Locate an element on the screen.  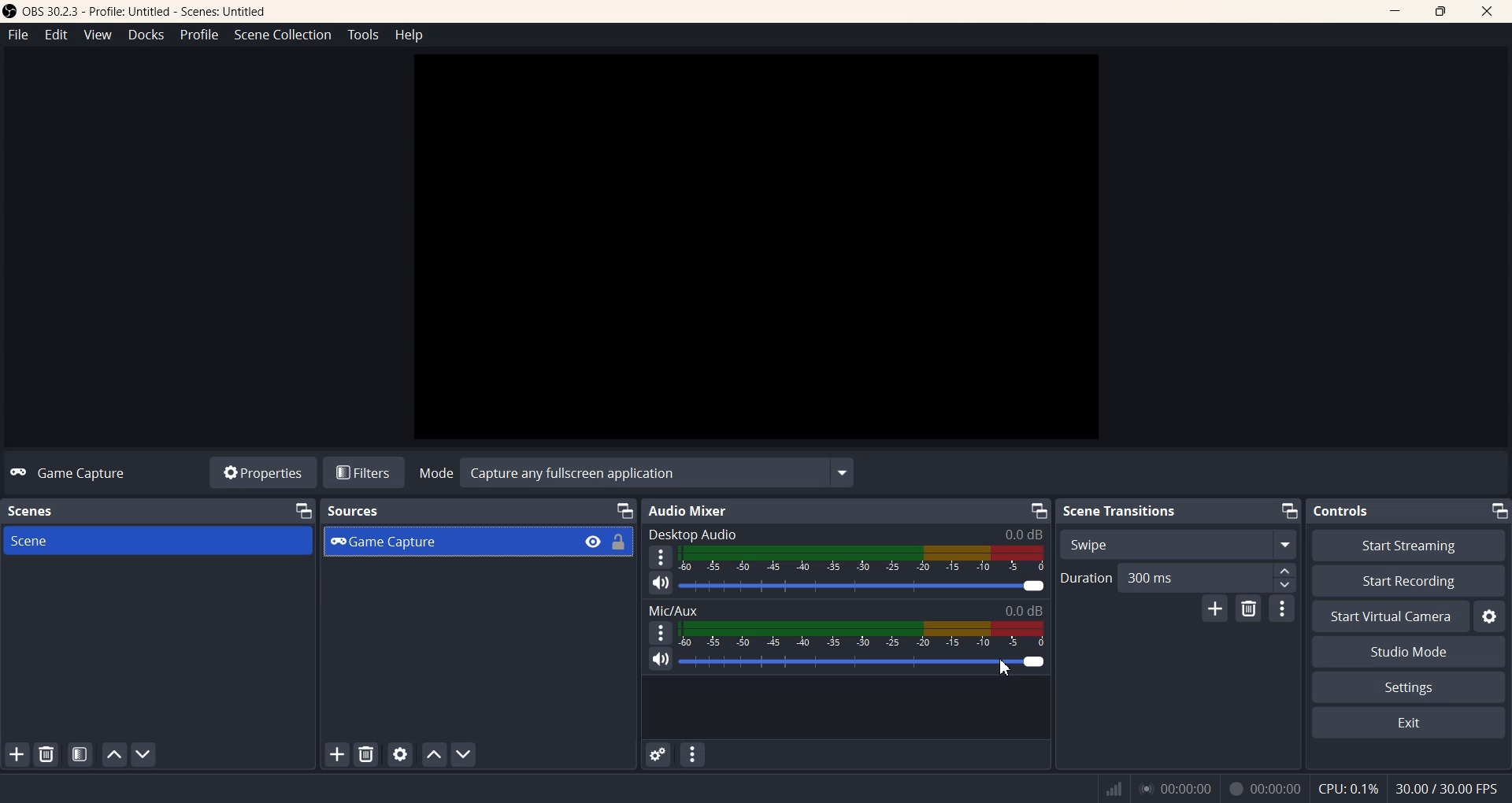
Mute/ Unmute is located at coordinates (661, 659).